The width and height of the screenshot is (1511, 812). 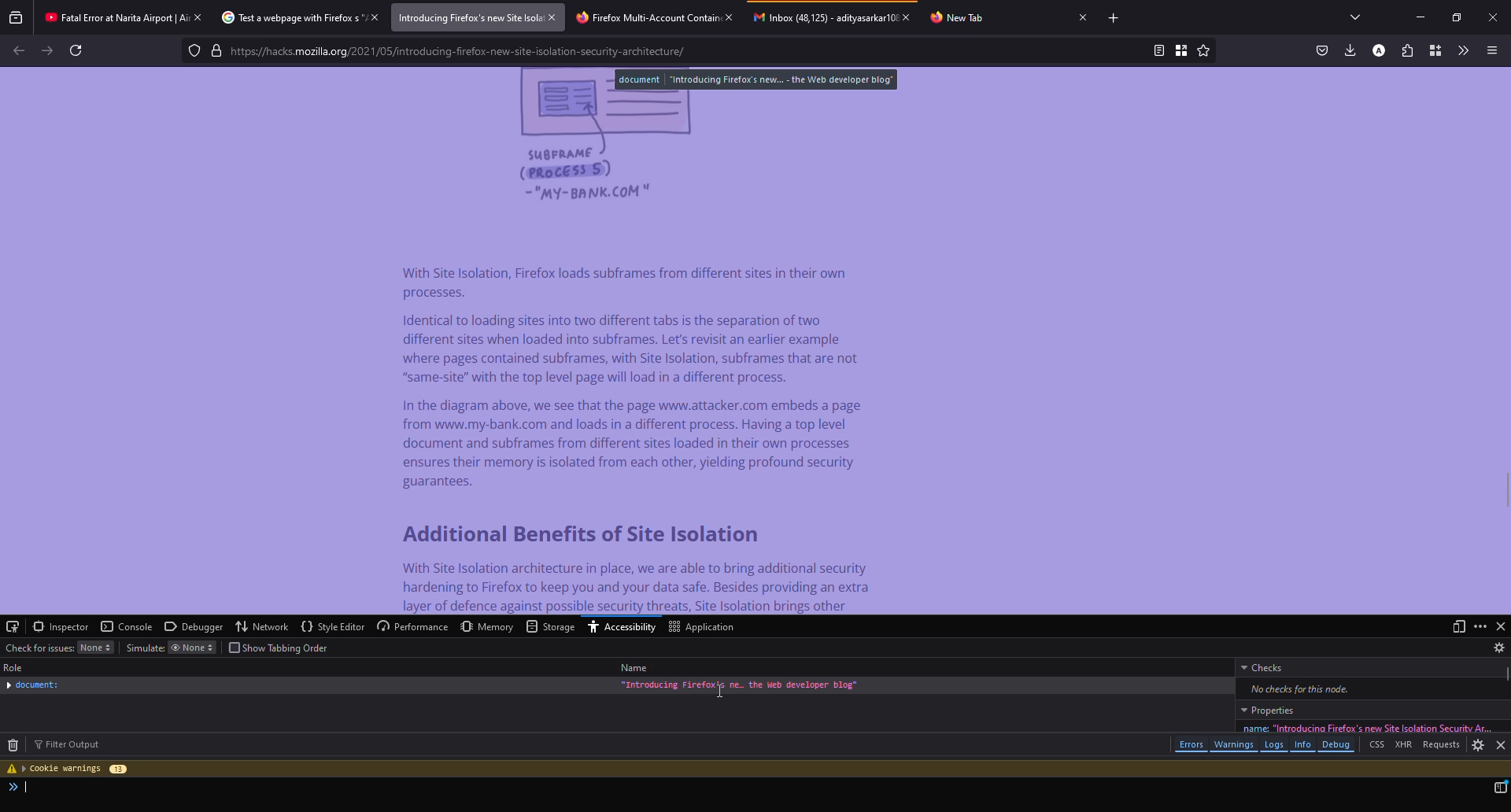 I want to click on Test a webpage with Firefox, so click(x=287, y=17).